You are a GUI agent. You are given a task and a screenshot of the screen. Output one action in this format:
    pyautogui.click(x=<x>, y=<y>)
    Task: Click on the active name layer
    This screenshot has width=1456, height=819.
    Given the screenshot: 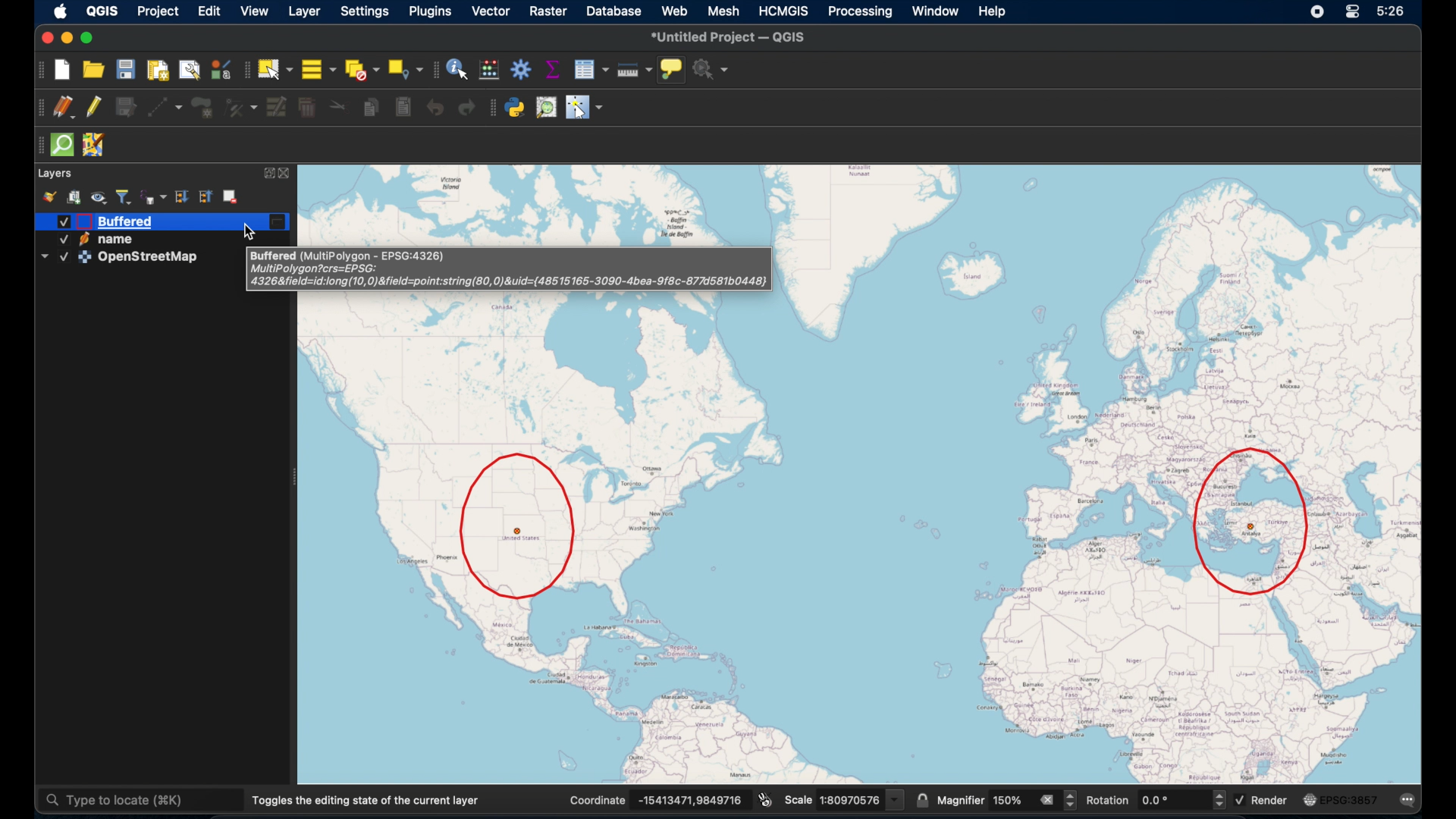 What is the action you would take?
    pyautogui.click(x=93, y=239)
    